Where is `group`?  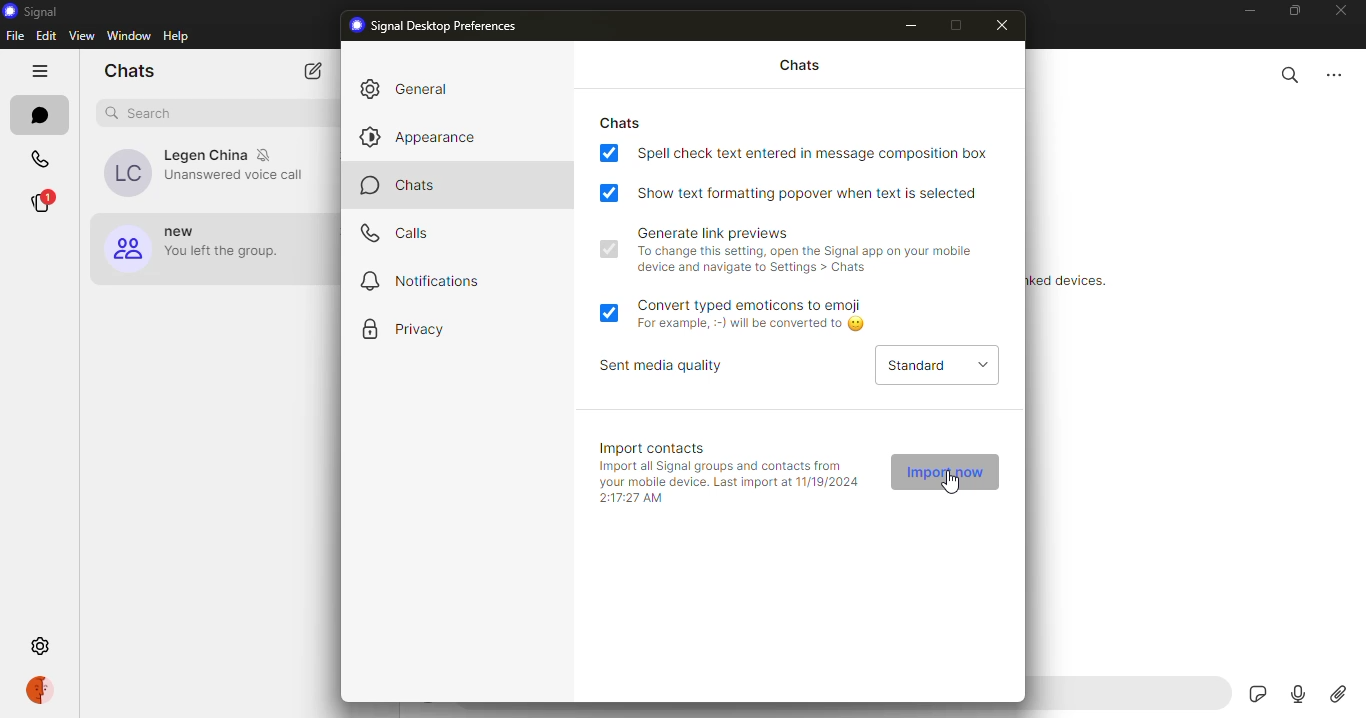 group is located at coordinates (203, 251).